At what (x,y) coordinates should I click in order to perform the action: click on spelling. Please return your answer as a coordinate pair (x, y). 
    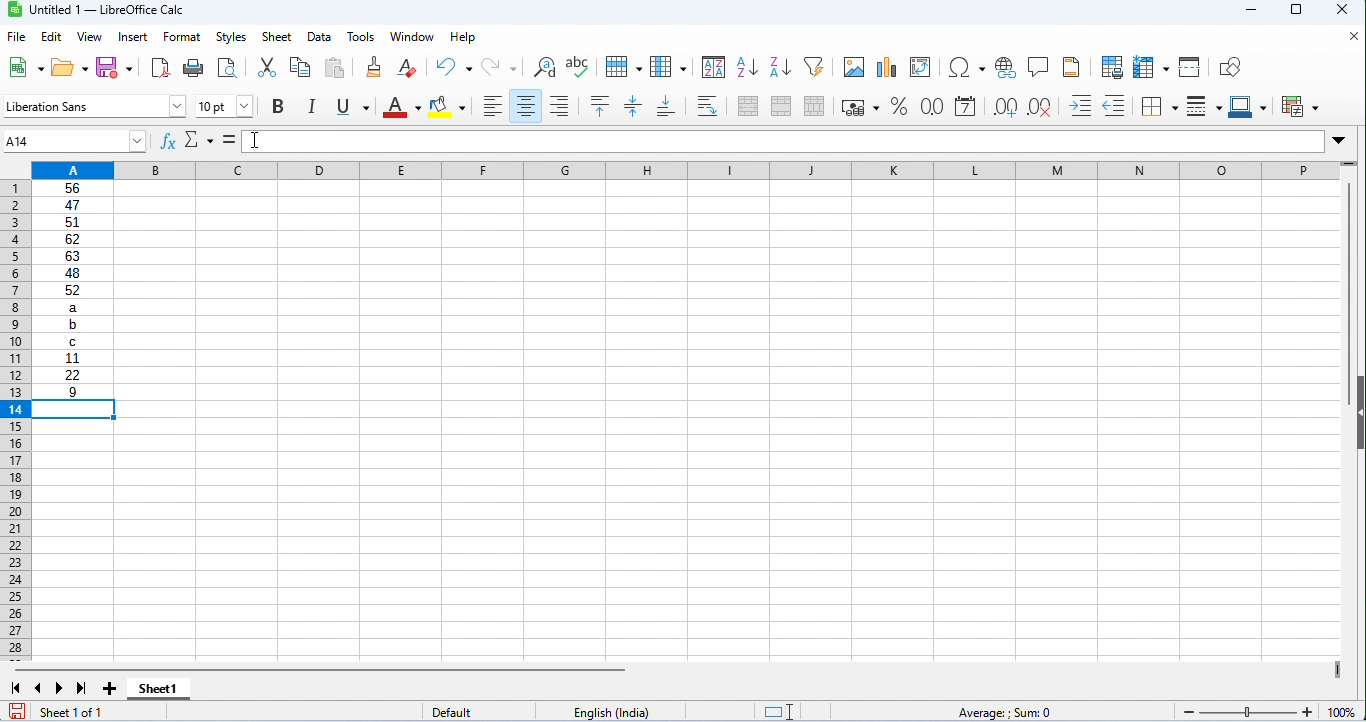
    Looking at the image, I should click on (580, 67).